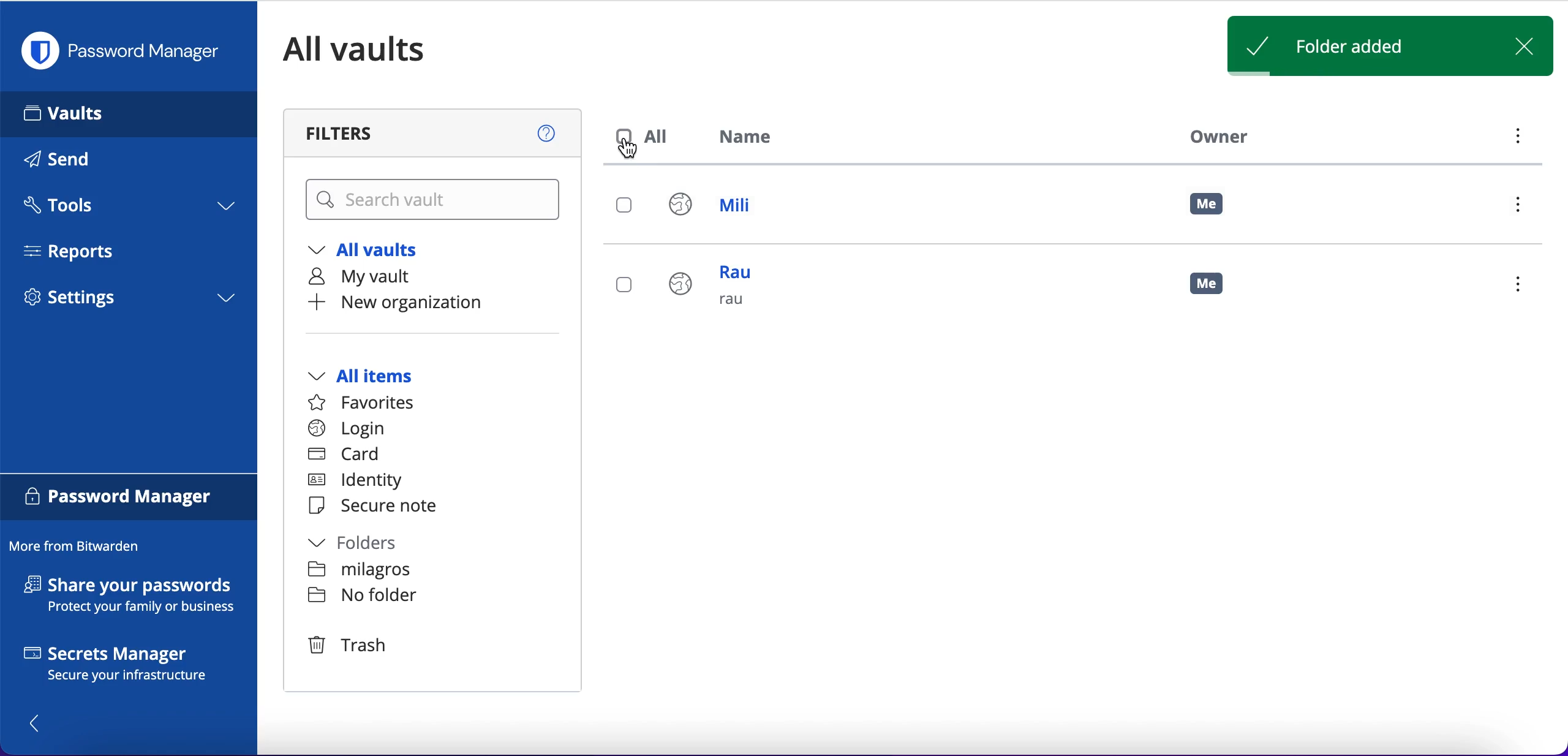 Image resolution: width=1568 pixels, height=756 pixels. Describe the element at coordinates (1216, 289) in the screenshot. I see `me` at that location.